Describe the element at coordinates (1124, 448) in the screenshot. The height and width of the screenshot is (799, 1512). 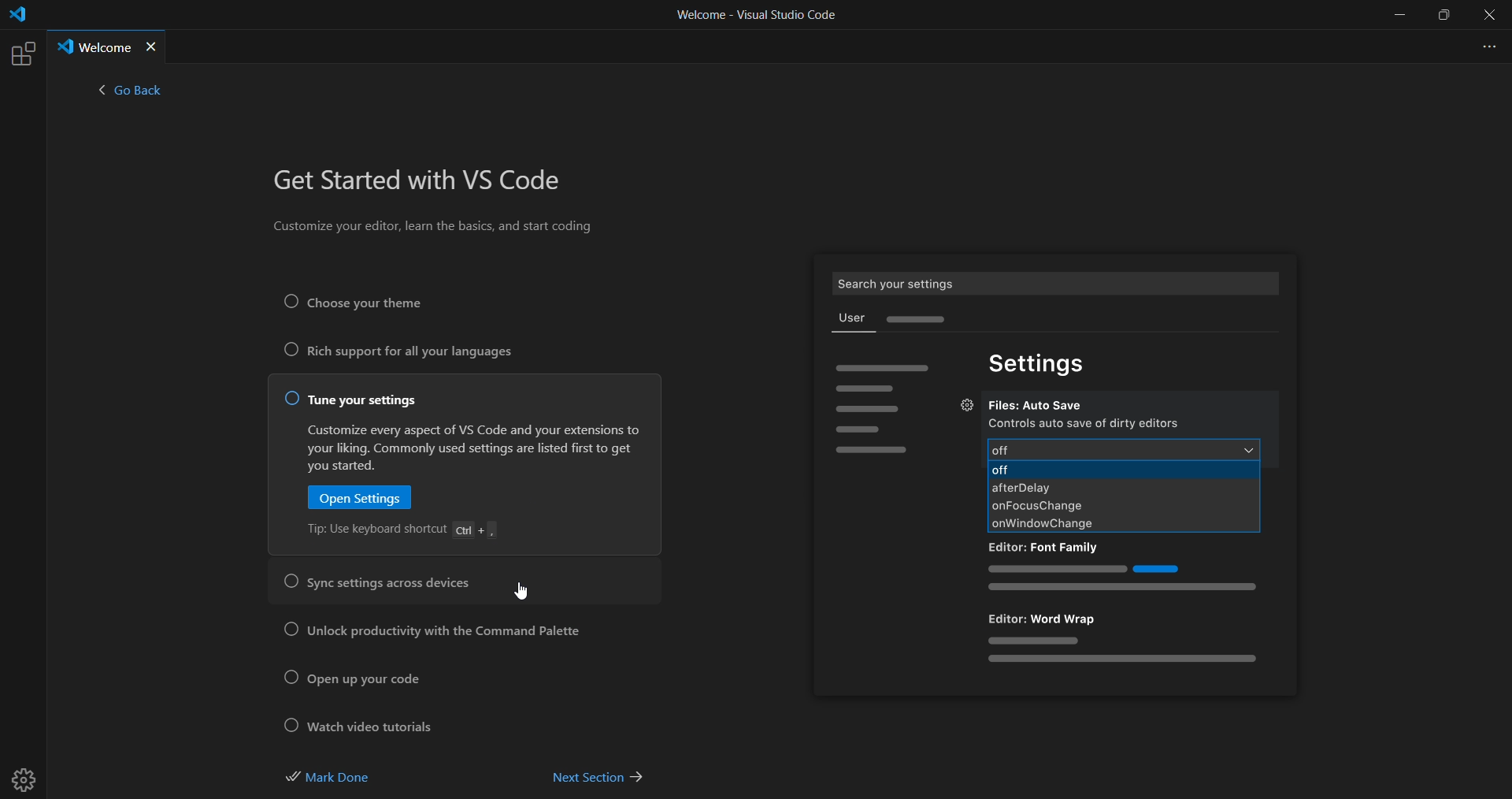
I see `off` at that location.